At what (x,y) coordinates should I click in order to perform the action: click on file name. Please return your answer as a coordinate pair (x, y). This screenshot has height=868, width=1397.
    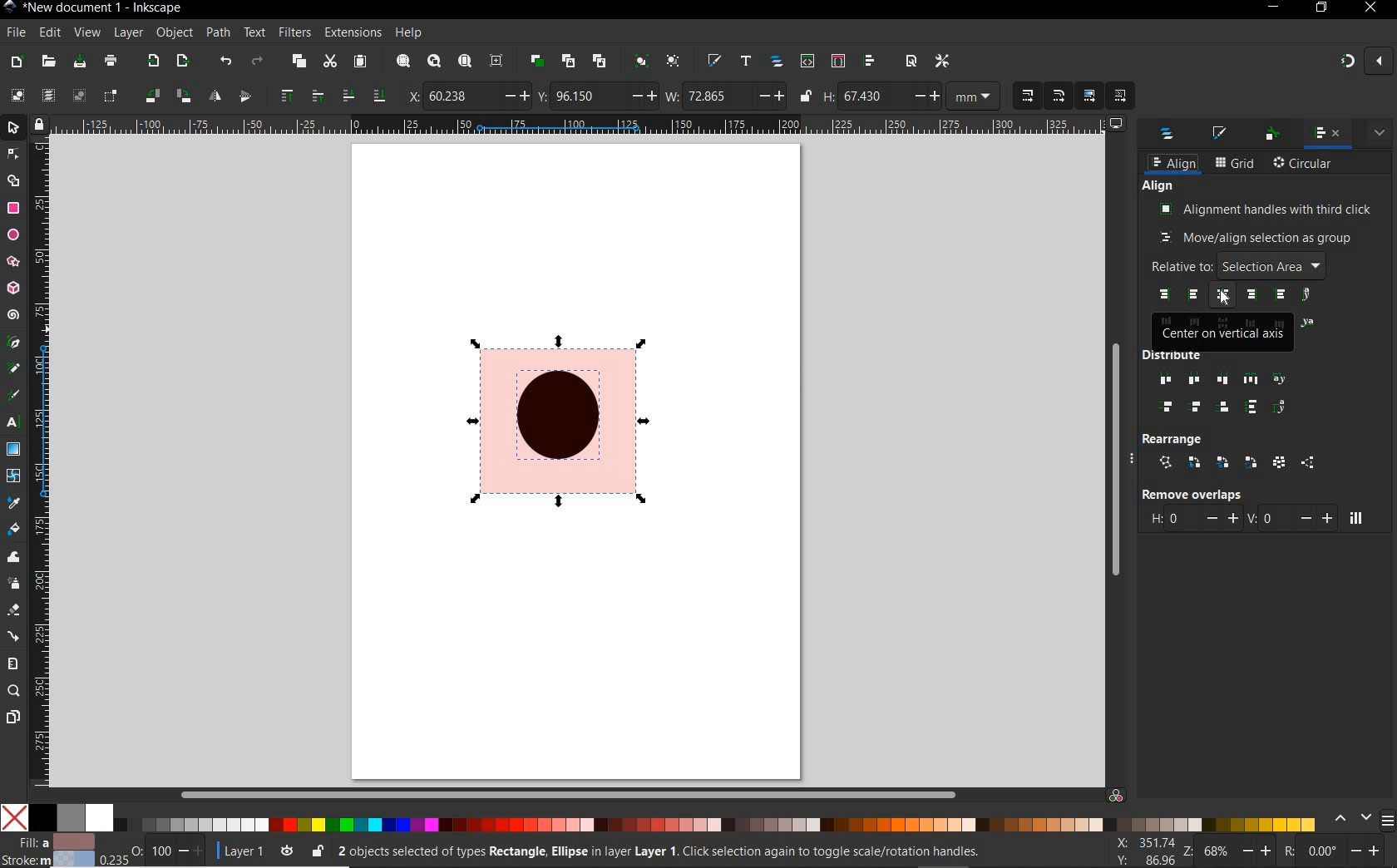
    Looking at the image, I should click on (108, 8).